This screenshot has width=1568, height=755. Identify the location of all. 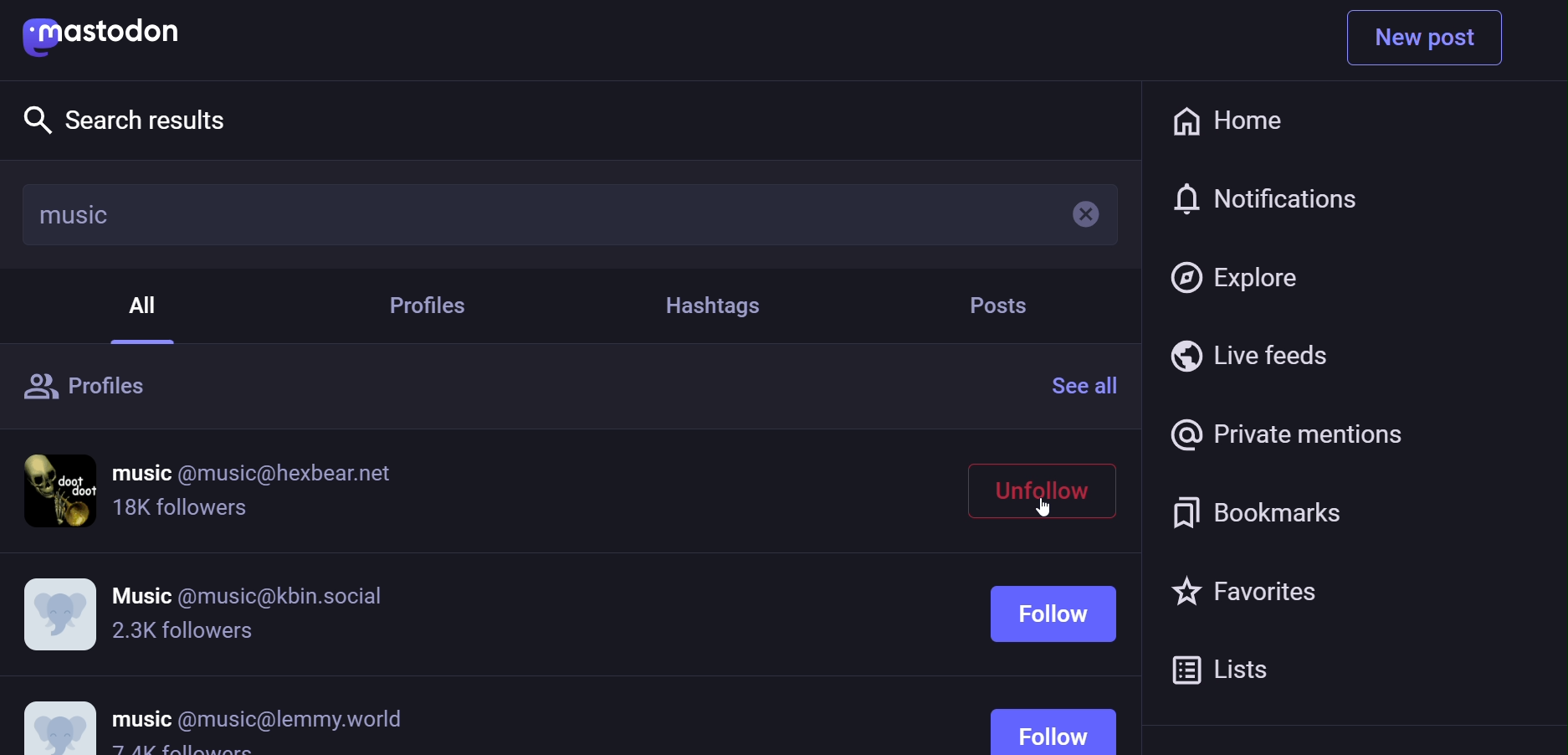
(148, 302).